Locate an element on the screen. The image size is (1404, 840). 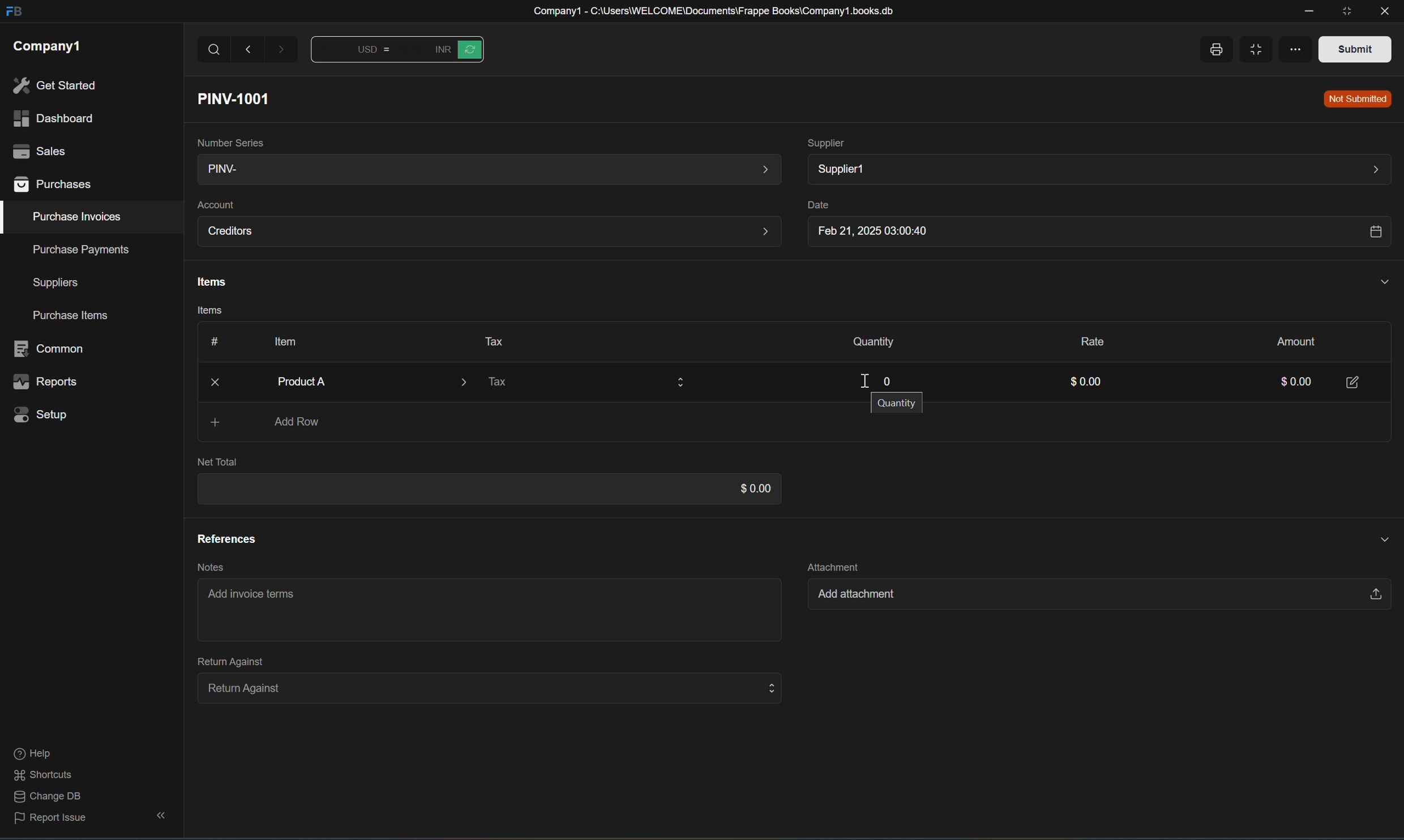
reports is located at coordinates (46, 383).